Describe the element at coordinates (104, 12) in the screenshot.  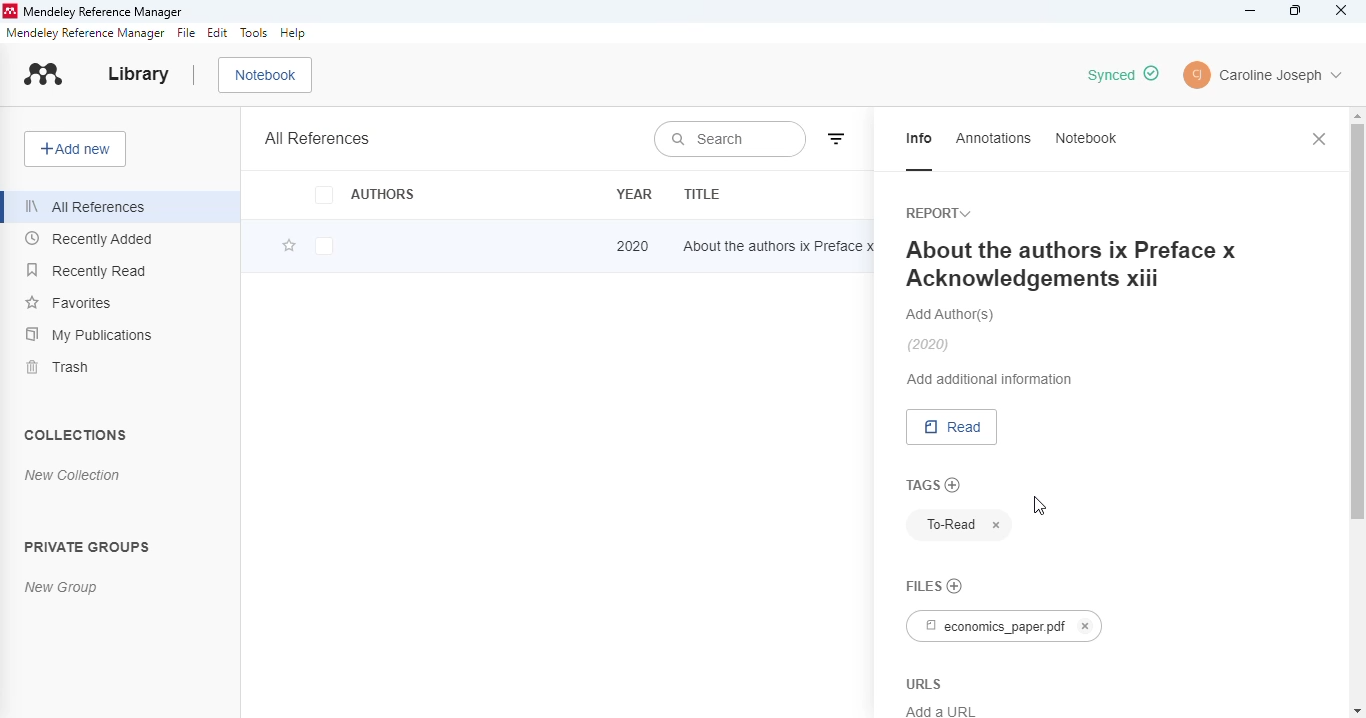
I see `mendeley reference manager` at that location.